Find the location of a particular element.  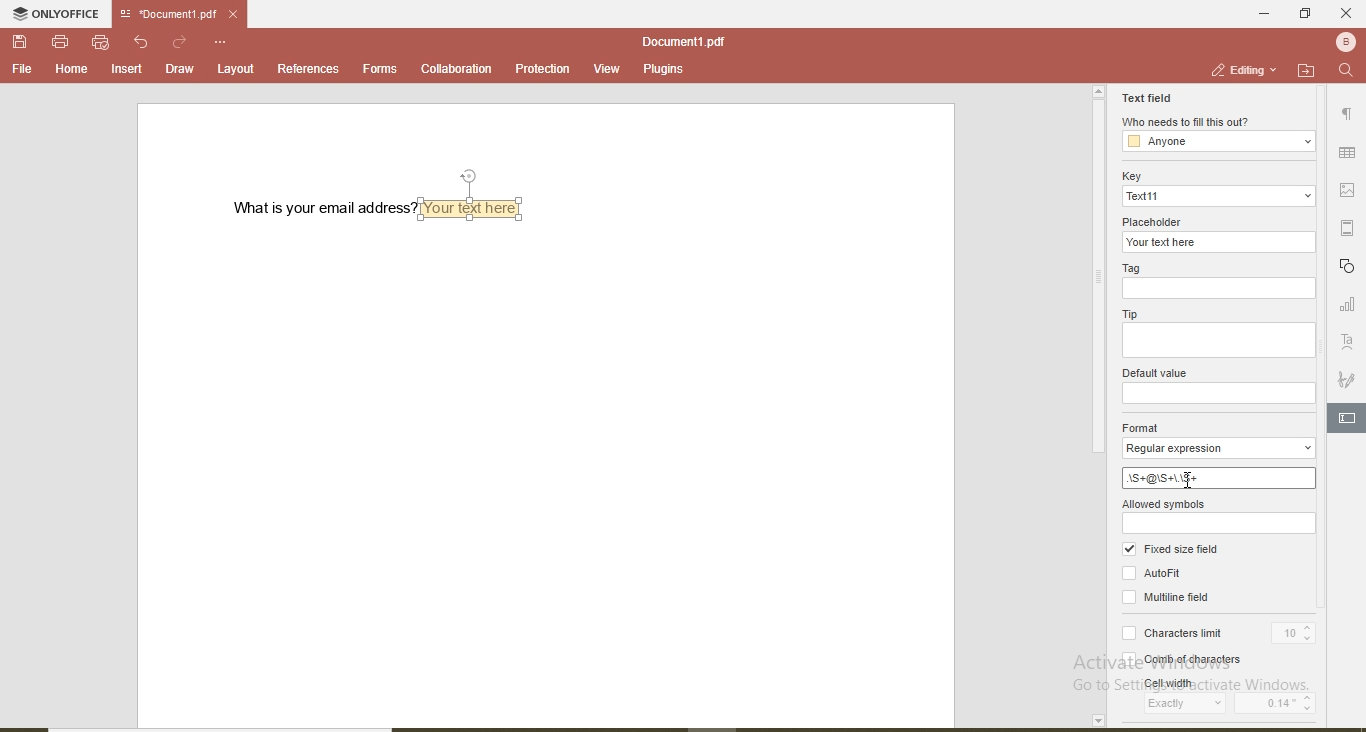

cell width is located at coordinates (1178, 682).